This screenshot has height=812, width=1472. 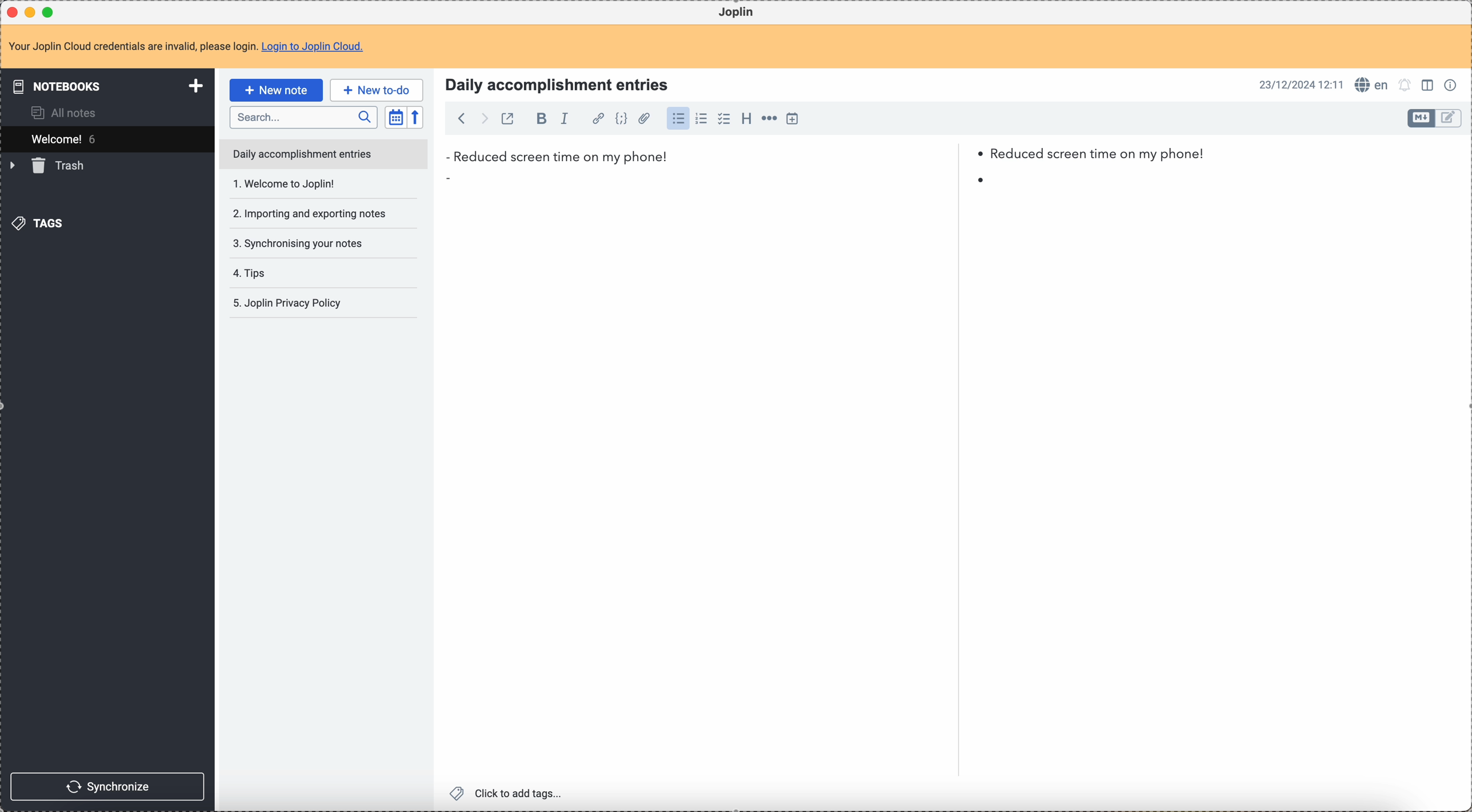 I want to click on insert time, so click(x=792, y=119).